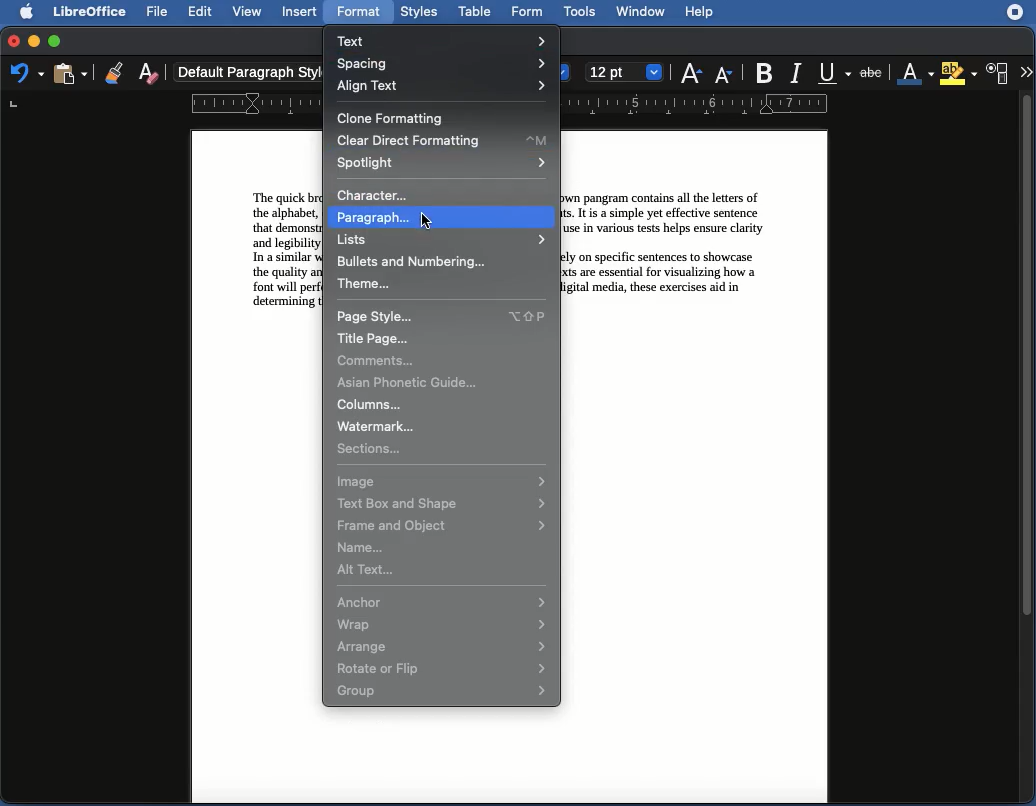 This screenshot has height=806, width=1036. Describe the element at coordinates (442, 603) in the screenshot. I see `Anchor` at that location.